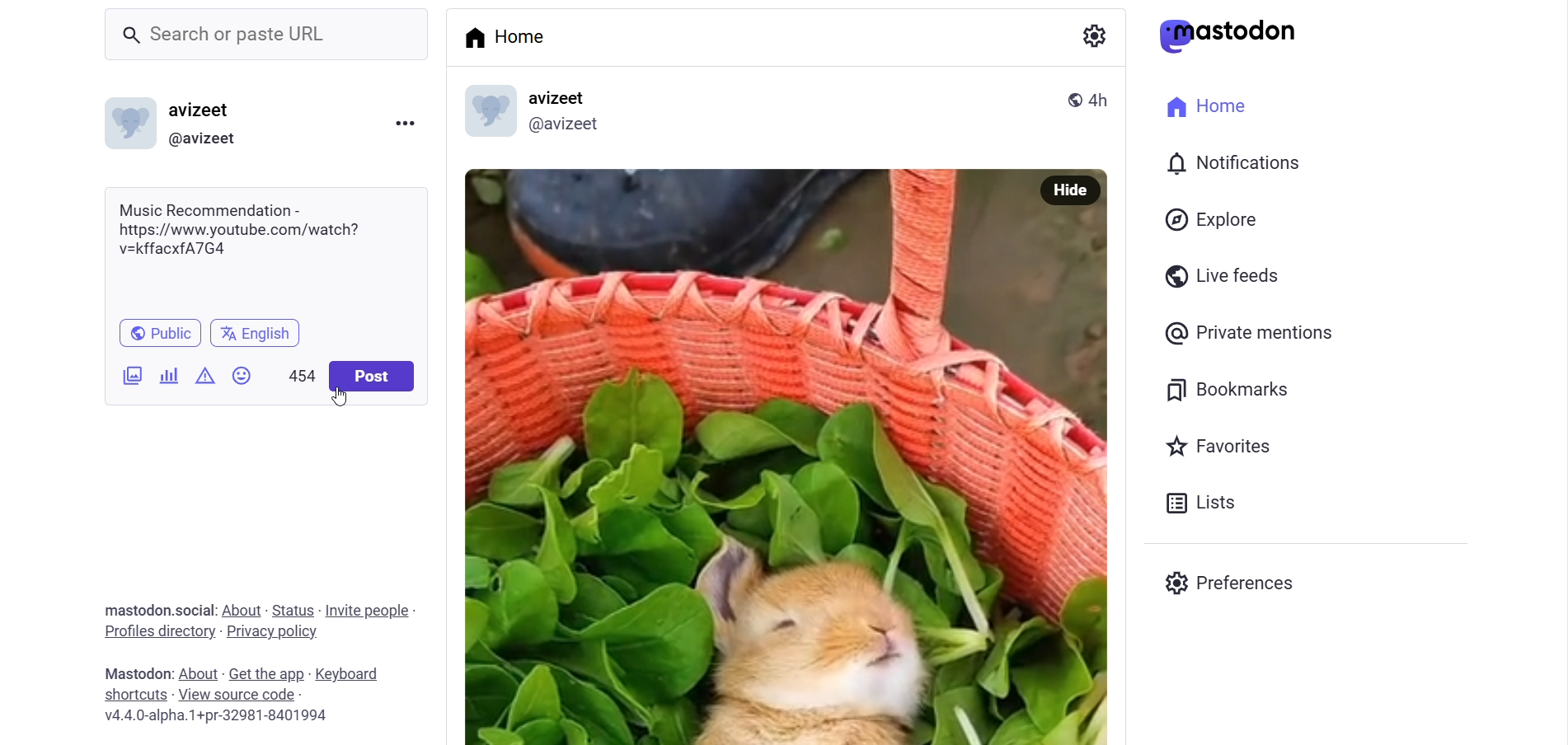  What do you see at coordinates (566, 97) in the screenshot?
I see `avizeet` at bounding box center [566, 97].